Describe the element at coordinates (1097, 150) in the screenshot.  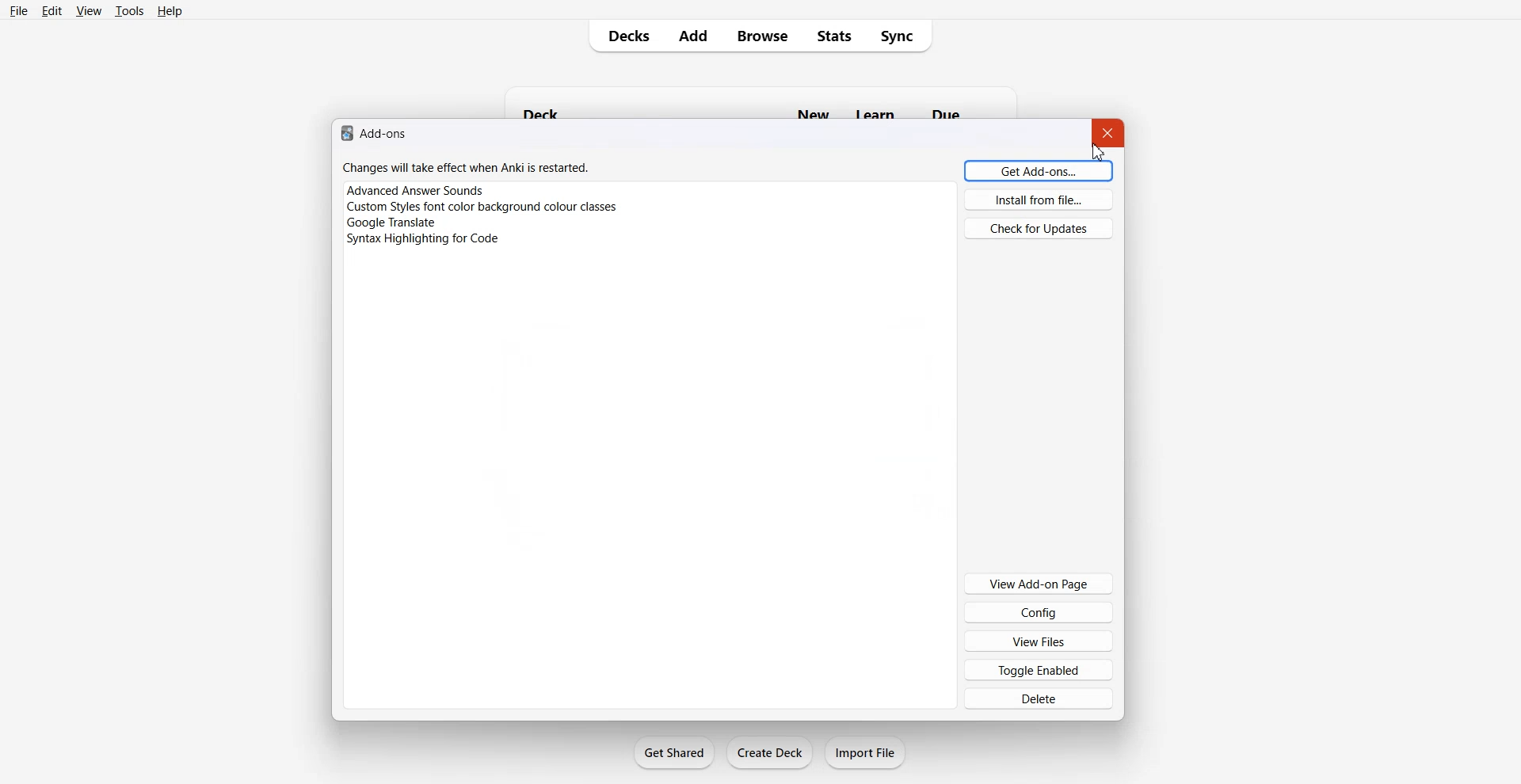
I see `Cursor` at that location.